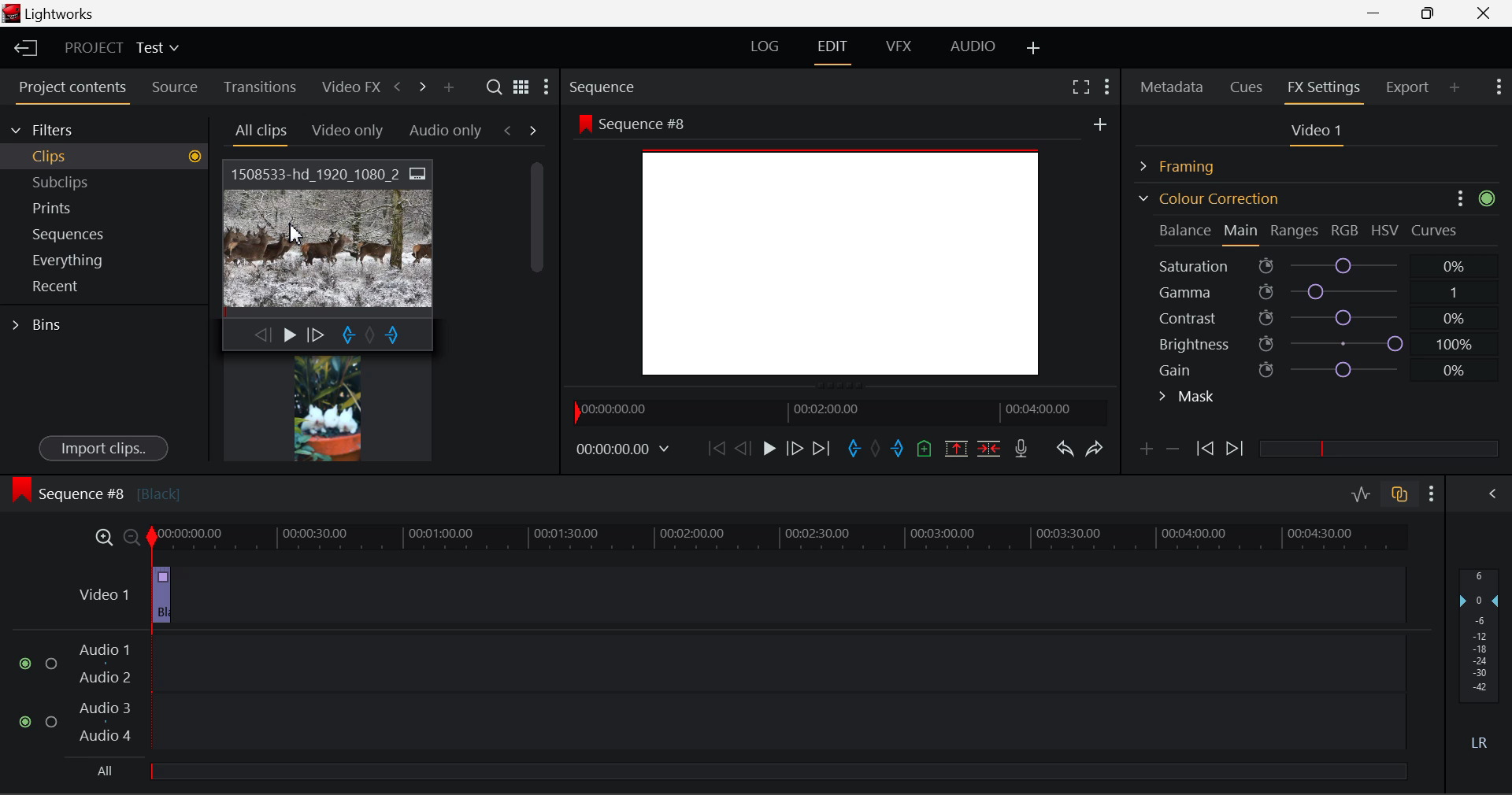  Describe the element at coordinates (109, 156) in the screenshot. I see `Clips Tab Open` at that location.